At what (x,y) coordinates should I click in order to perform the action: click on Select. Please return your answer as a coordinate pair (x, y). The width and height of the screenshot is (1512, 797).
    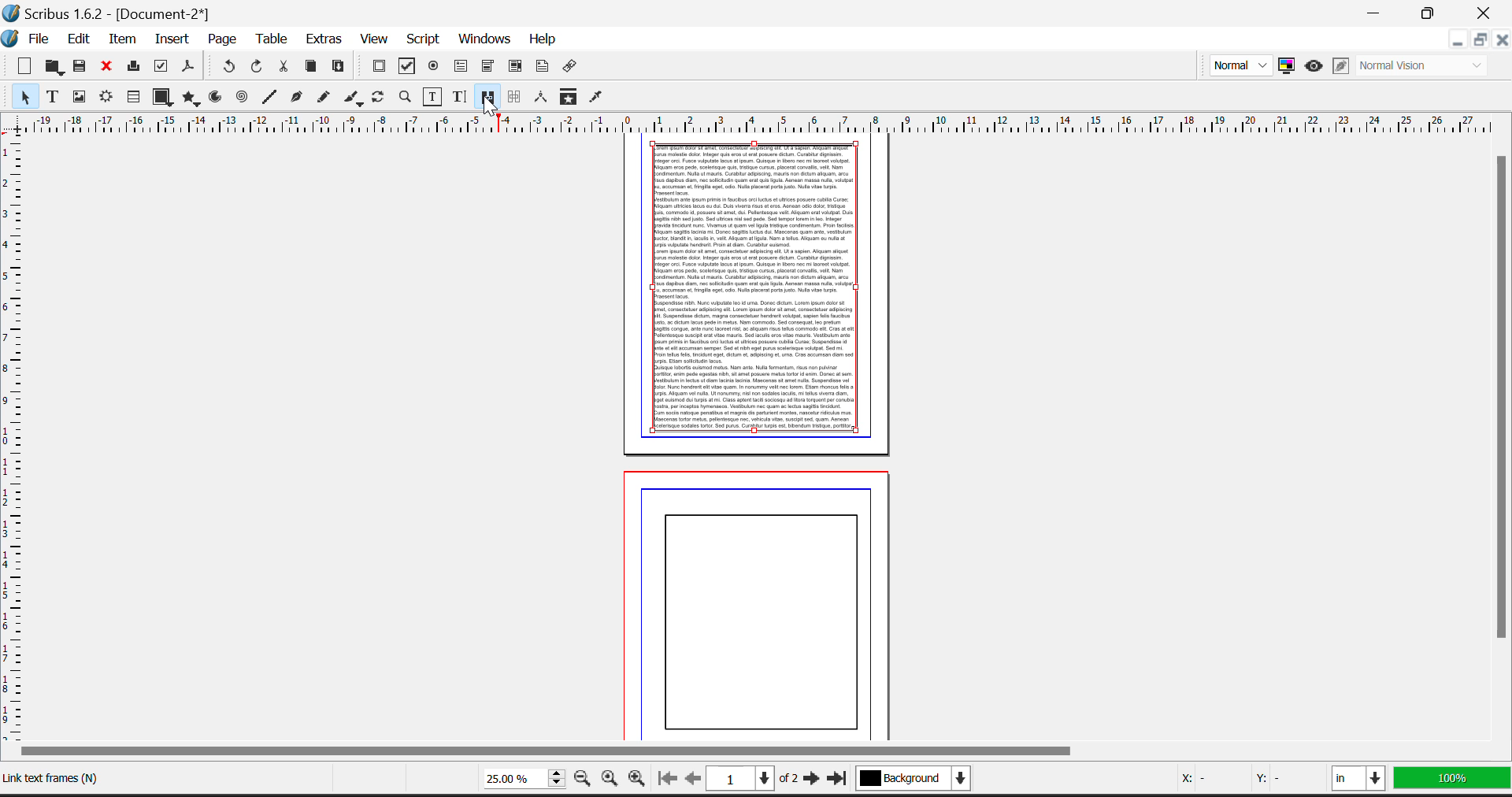
    Looking at the image, I should click on (20, 97).